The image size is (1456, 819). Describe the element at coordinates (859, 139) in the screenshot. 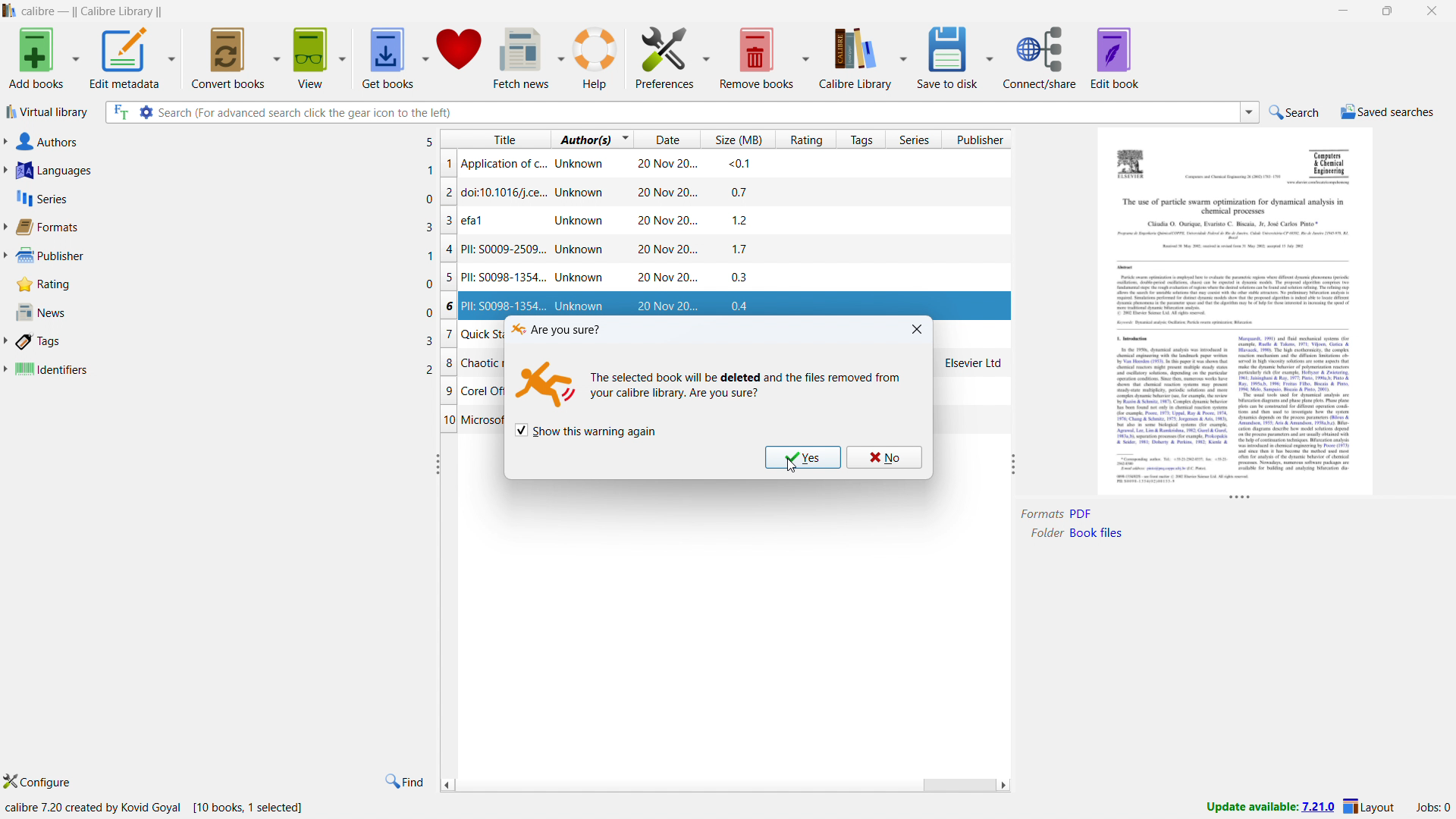

I see `sort by tags` at that location.